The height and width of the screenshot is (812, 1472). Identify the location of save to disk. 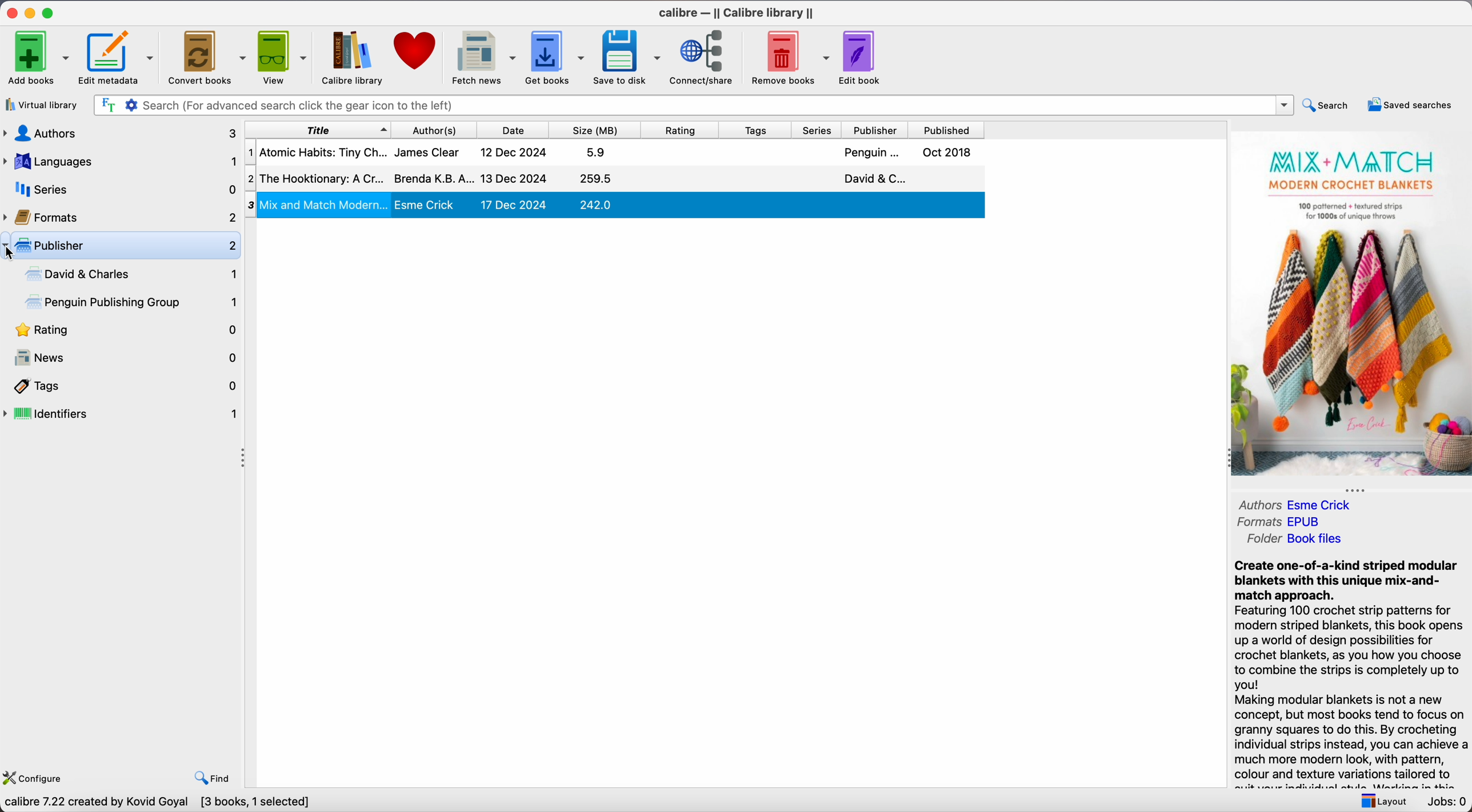
(628, 57).